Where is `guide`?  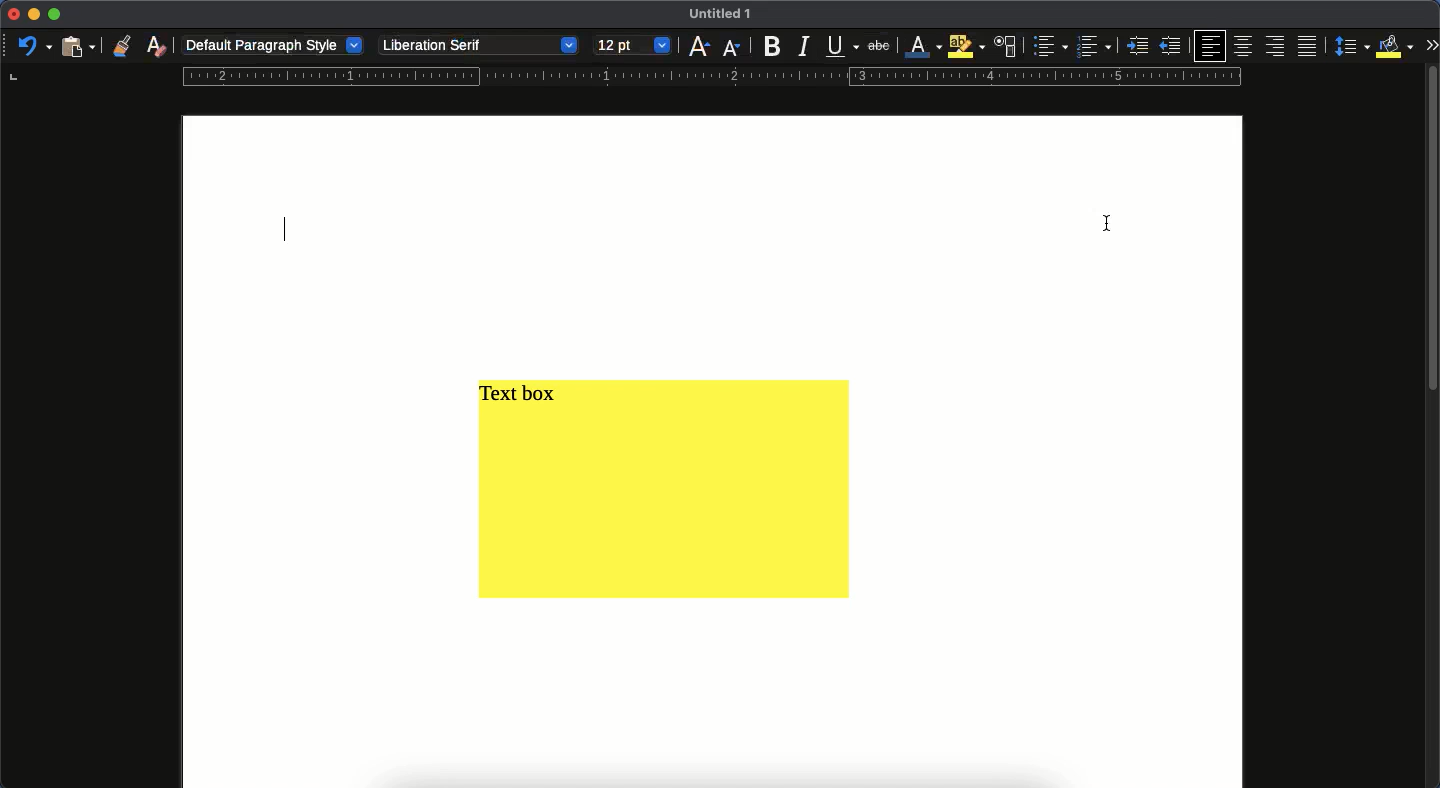
guide is located at coordinates (709, 77).